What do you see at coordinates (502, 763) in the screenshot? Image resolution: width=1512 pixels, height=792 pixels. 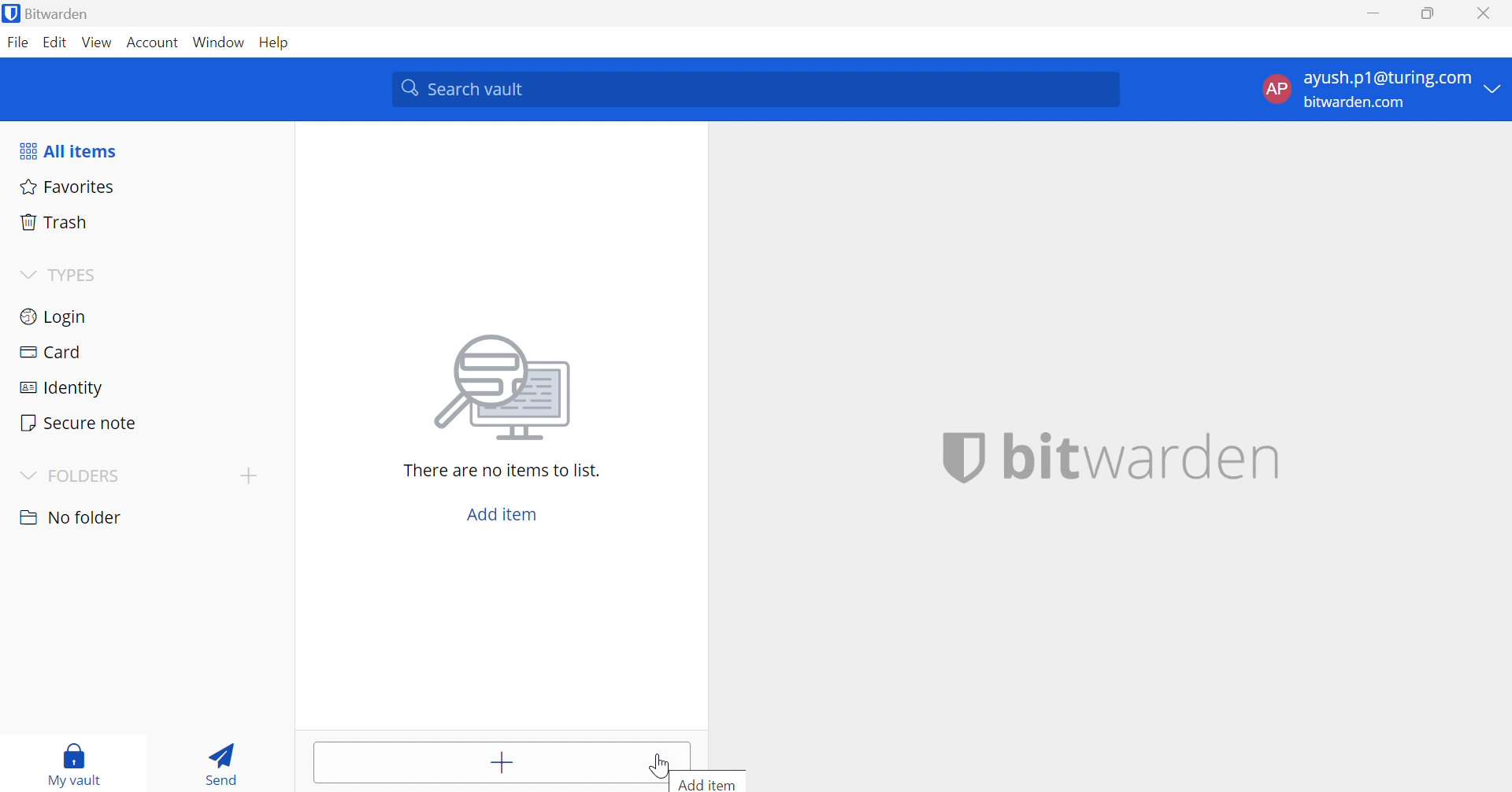 I see `Add item` at bounding box center [502, 763].